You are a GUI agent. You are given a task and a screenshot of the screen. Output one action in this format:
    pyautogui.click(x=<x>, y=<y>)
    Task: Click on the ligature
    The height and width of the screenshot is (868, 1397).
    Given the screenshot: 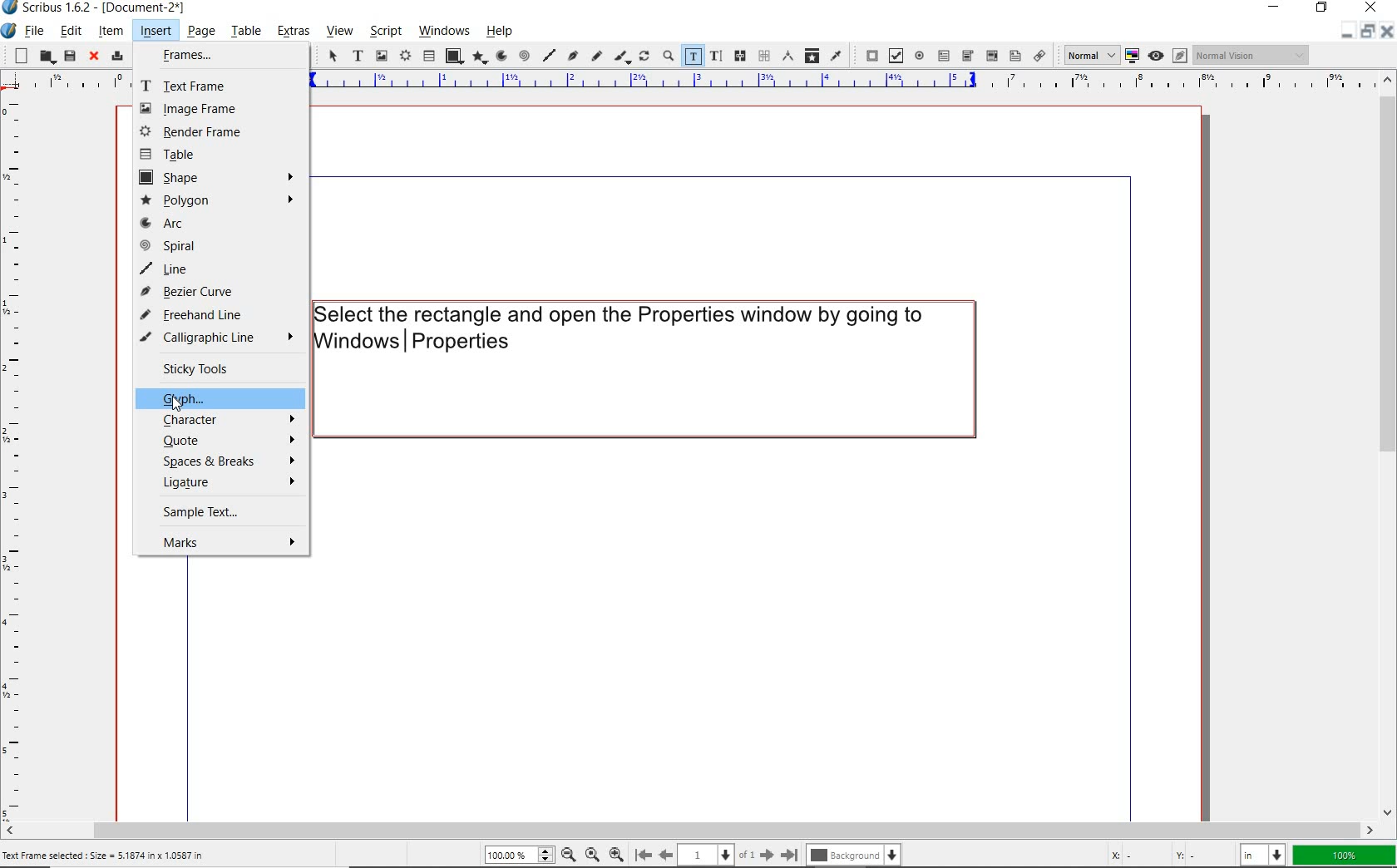 What is the action you would take?
    pyautogui.click(x=225, y=484)
    